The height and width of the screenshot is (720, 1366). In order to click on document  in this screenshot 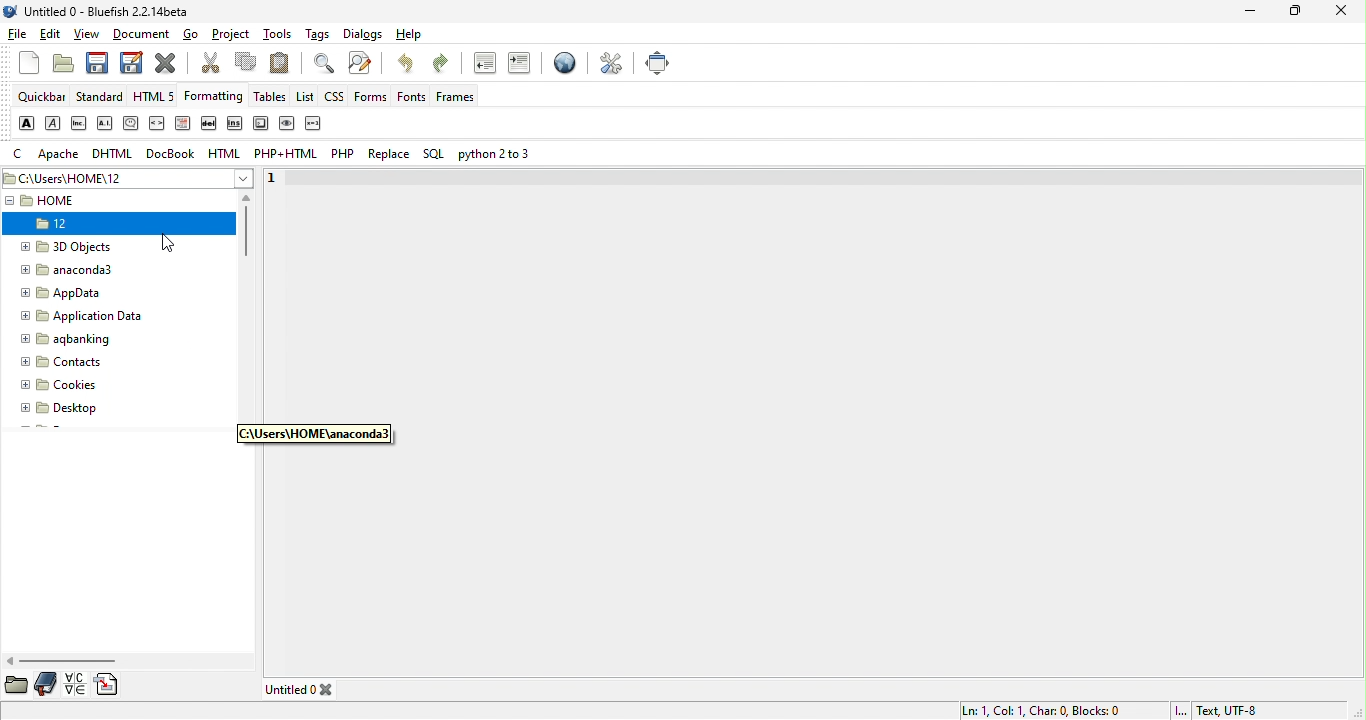, I will do `click(144, 34)`.